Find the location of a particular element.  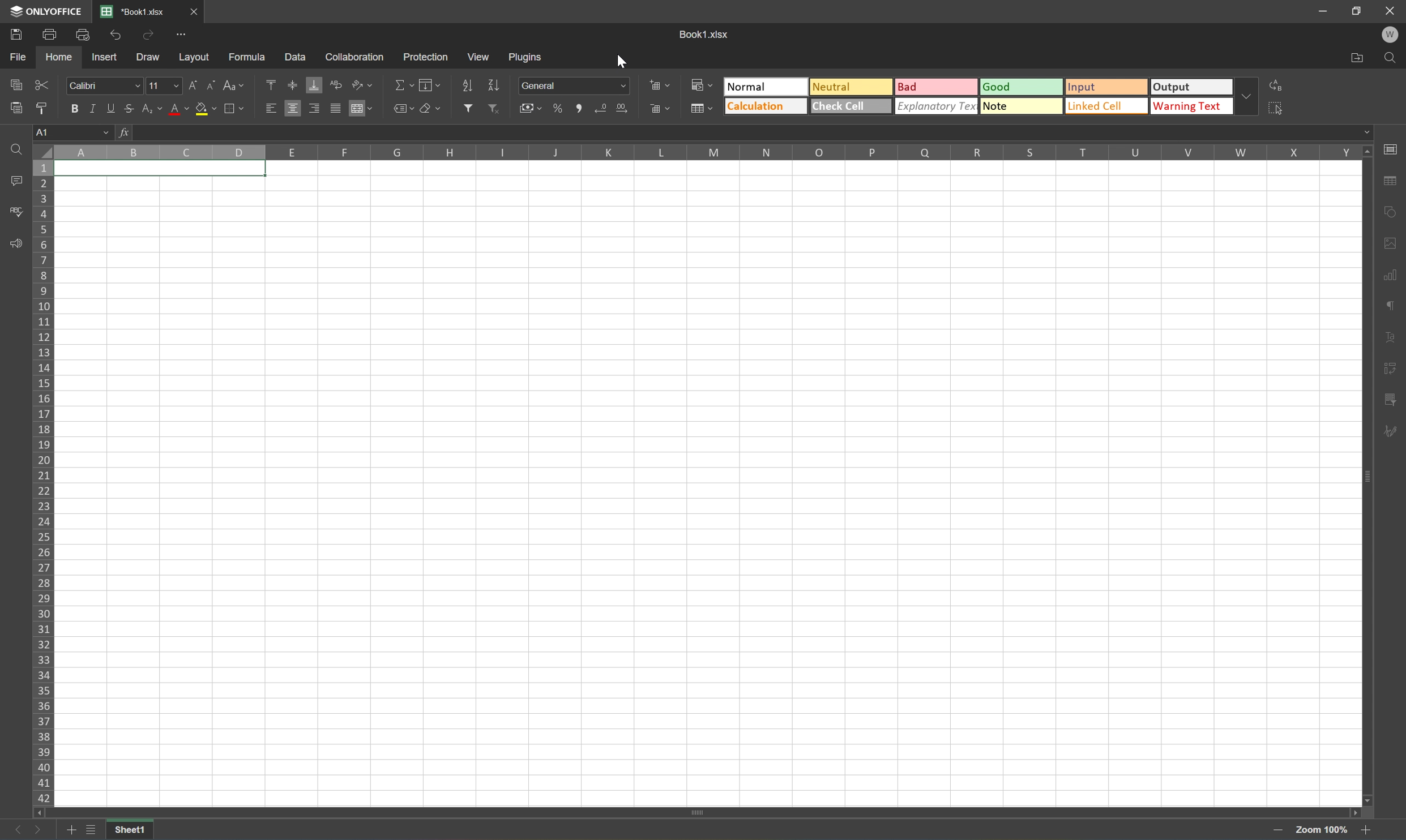

Align top is located at coordinates (271, 83).